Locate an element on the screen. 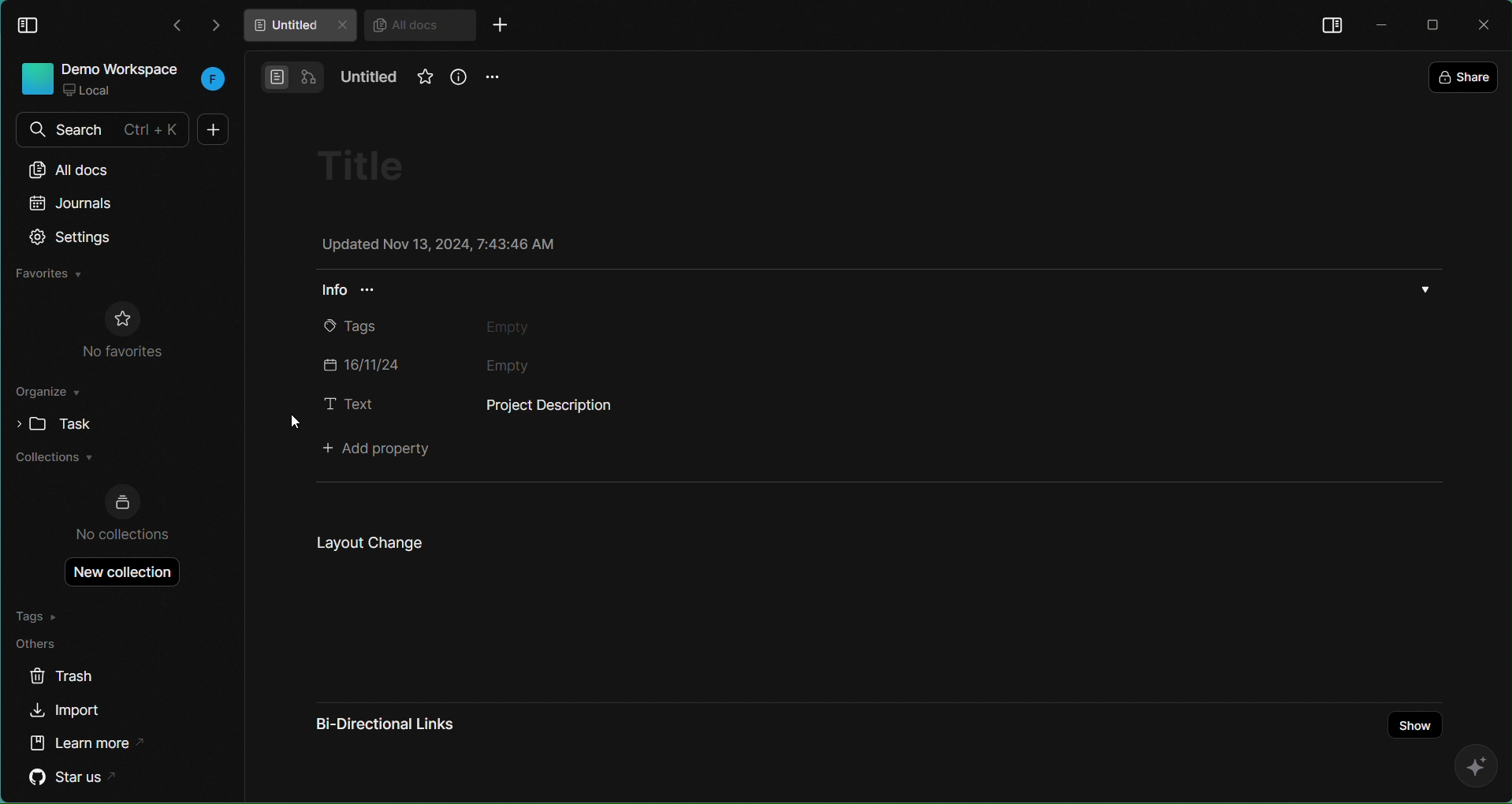 The image size is (1512, 804). Date is located at coordinates (482, 362).